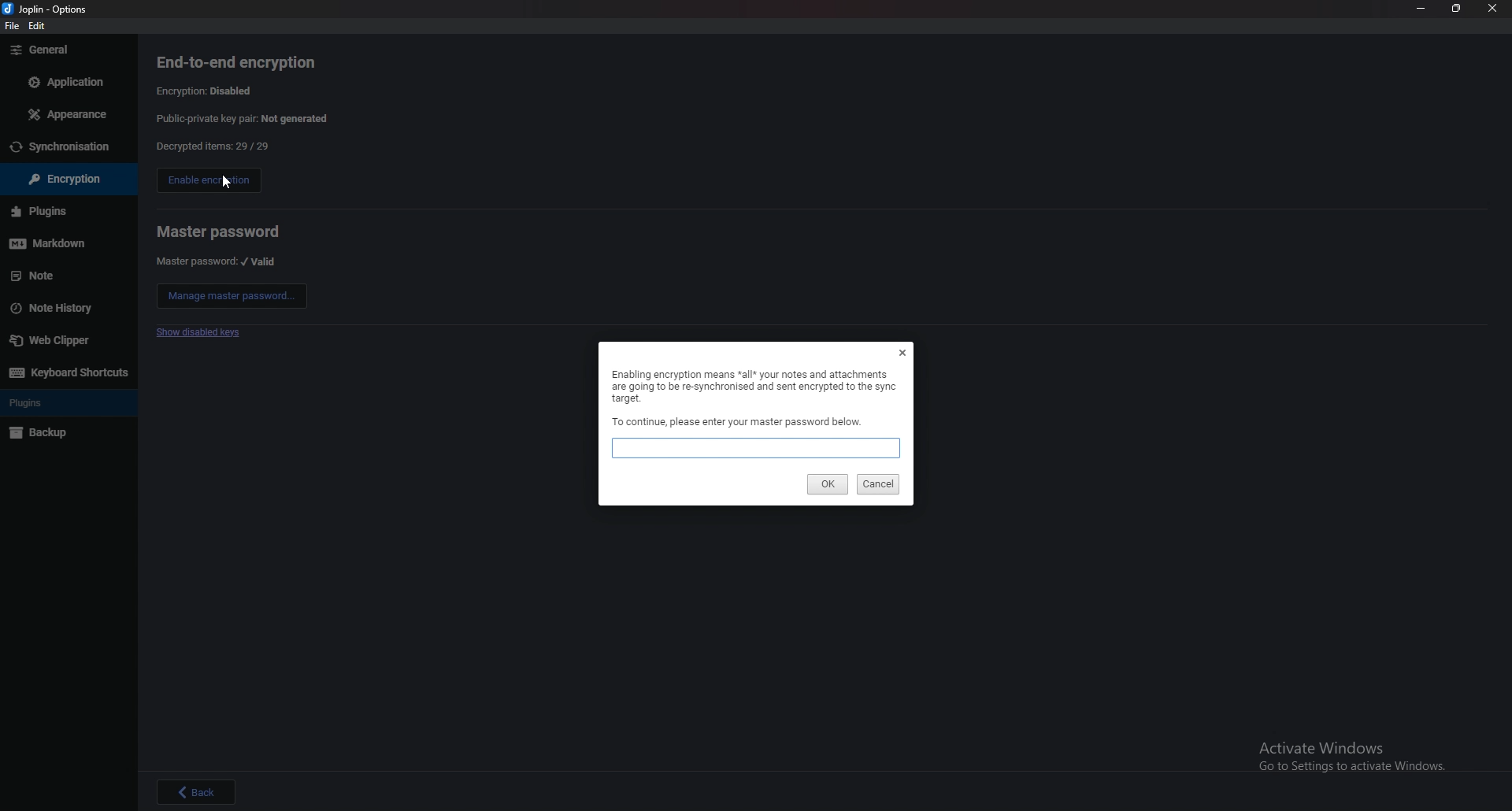 Image resolution: width=1512 pixels, height=811 pixels. I want to click on , so click(200, 791).